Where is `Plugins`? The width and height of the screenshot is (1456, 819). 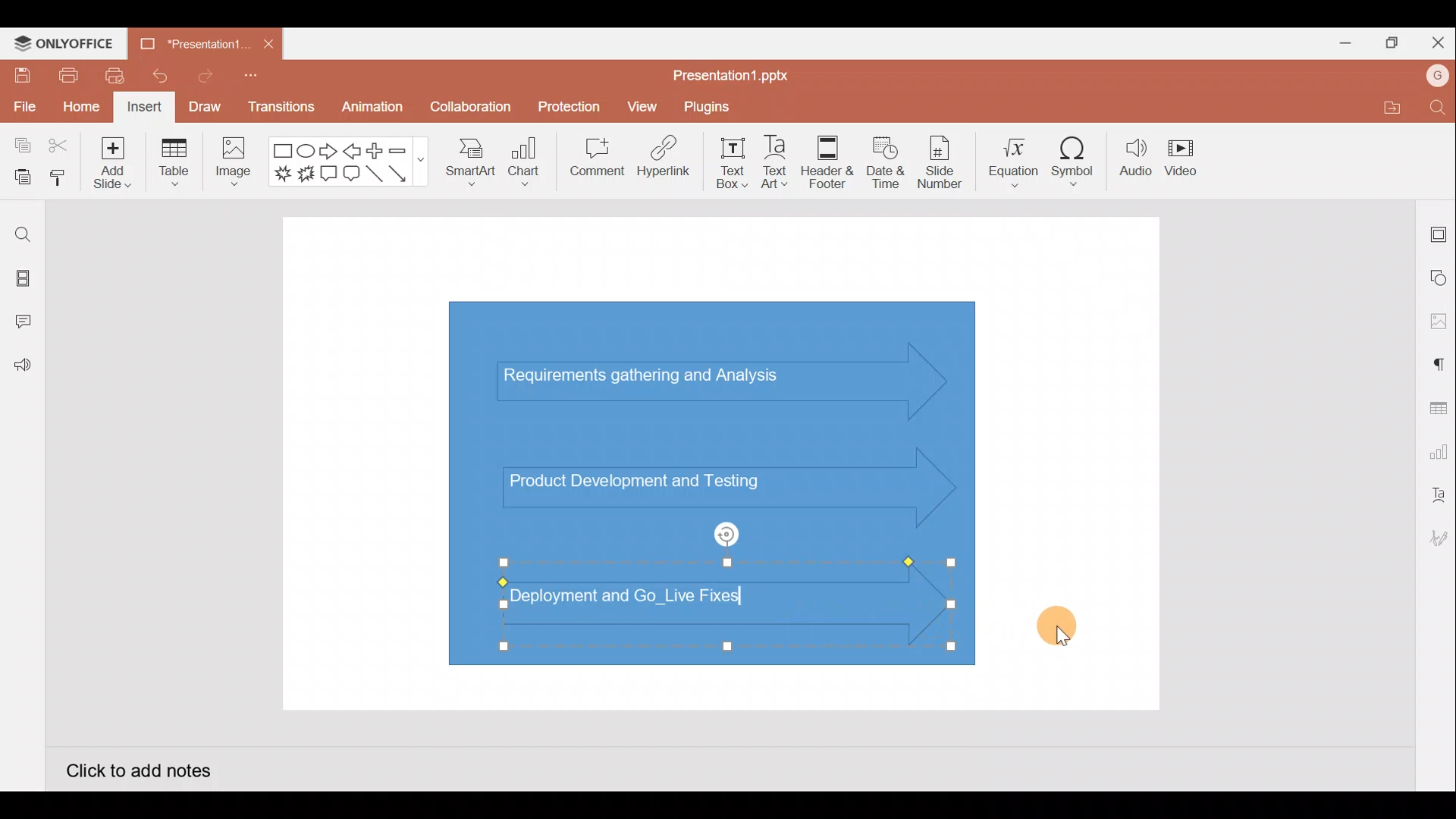
Plugins is located at coordinates (717, 105).